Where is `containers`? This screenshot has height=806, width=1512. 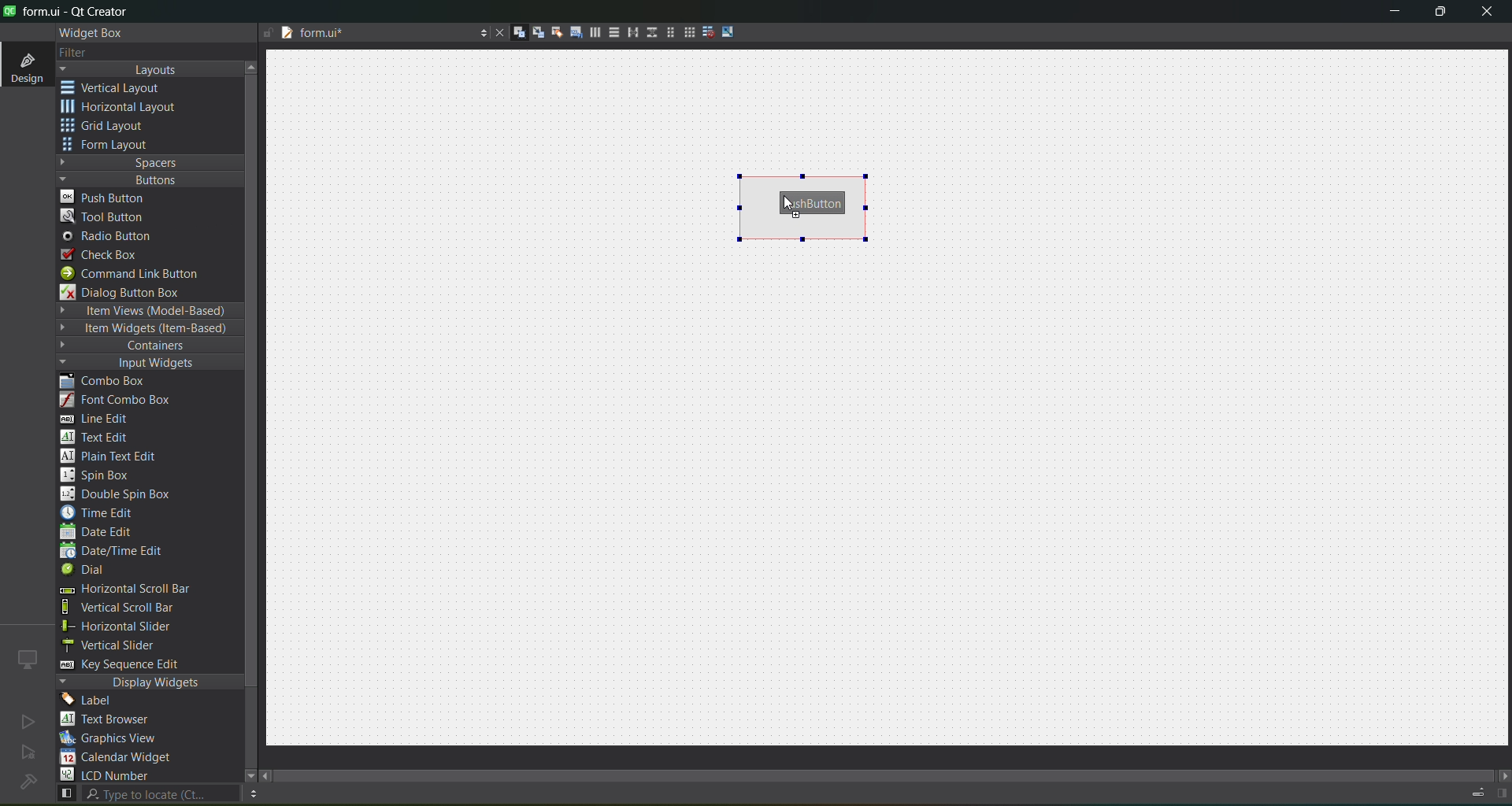 containers is located at coordinates (142, 346).